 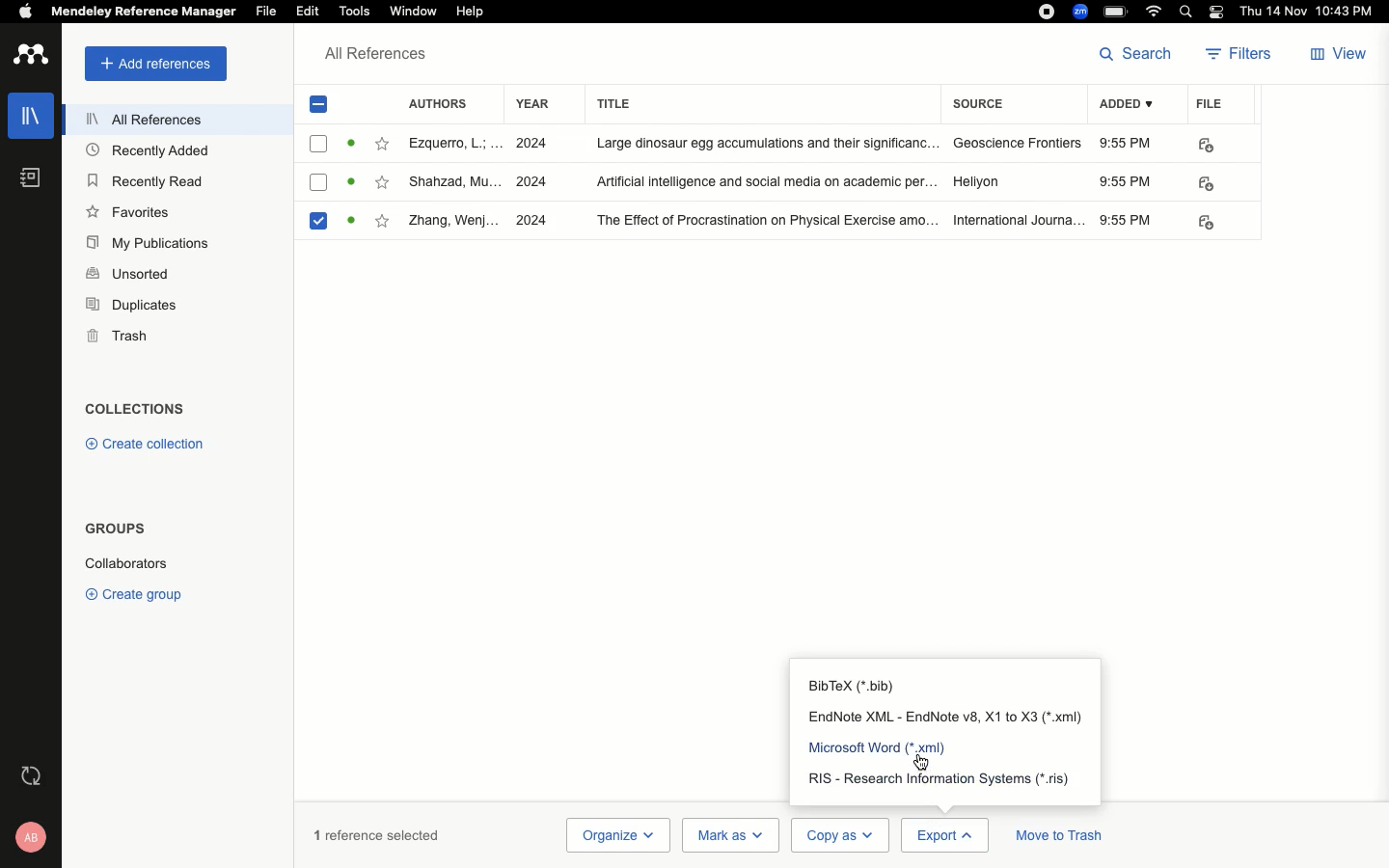 I want to click on Duplicates, so click(x=133, y=307).